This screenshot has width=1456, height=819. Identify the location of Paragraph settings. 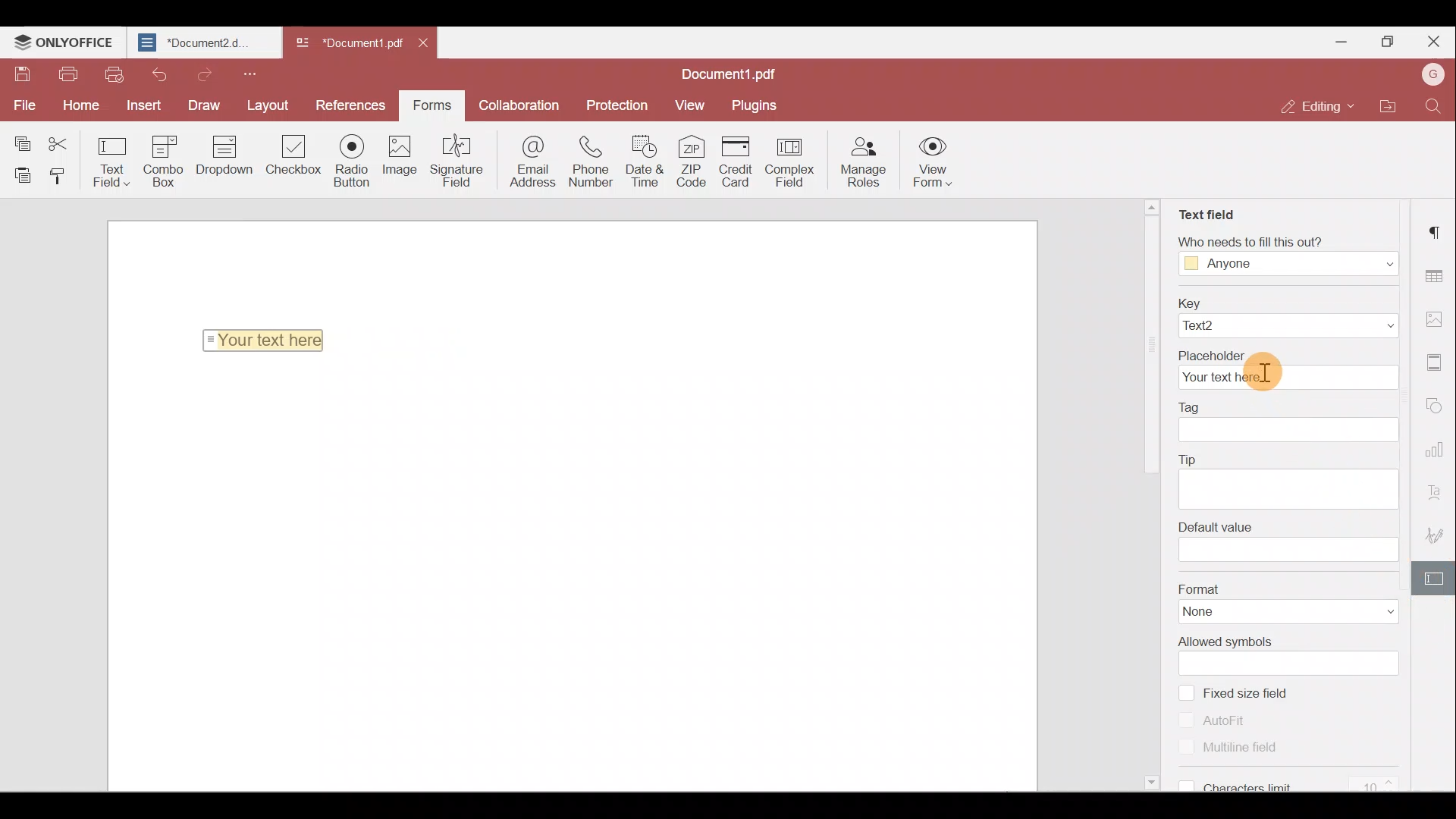
(1437, 231).